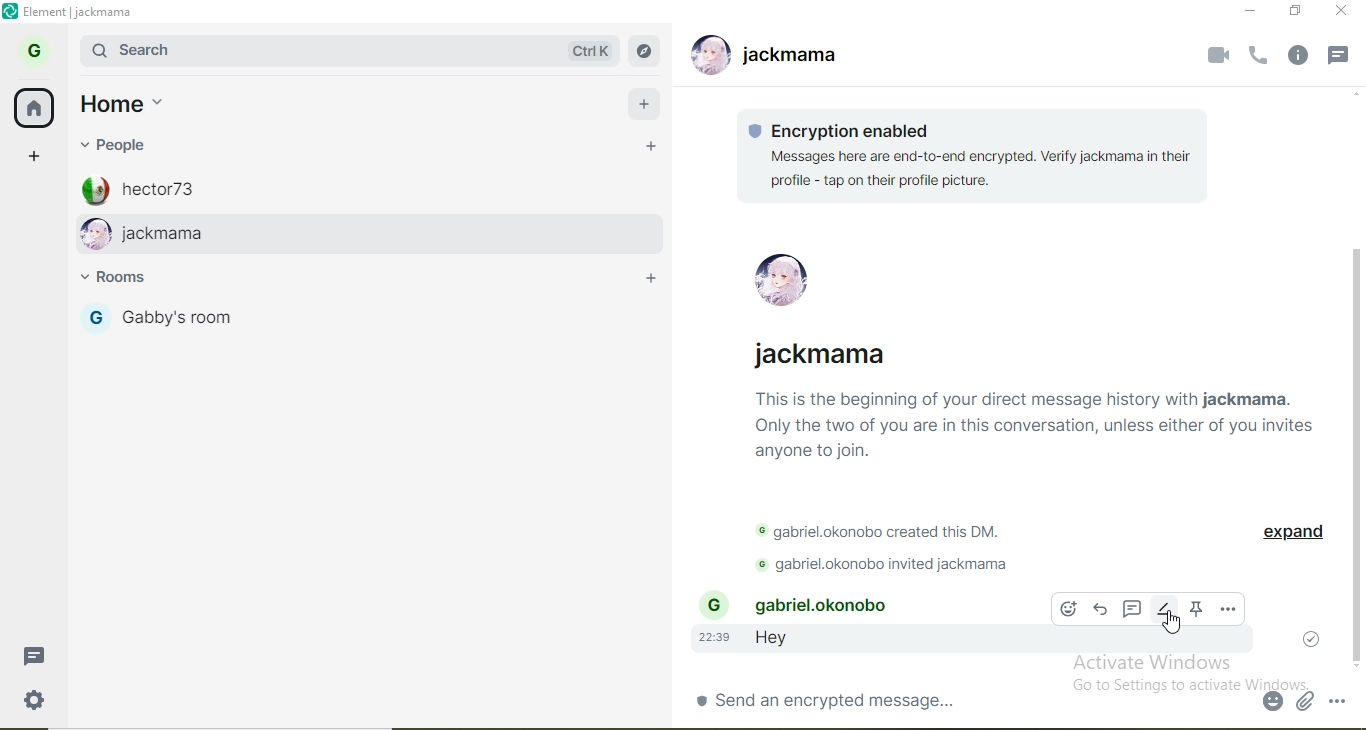 Image resolution: width=1366 pixels, height=730 pixels. Describe the element at coordinates (94, 188) in the screenshot. I see `profile image` at that location.